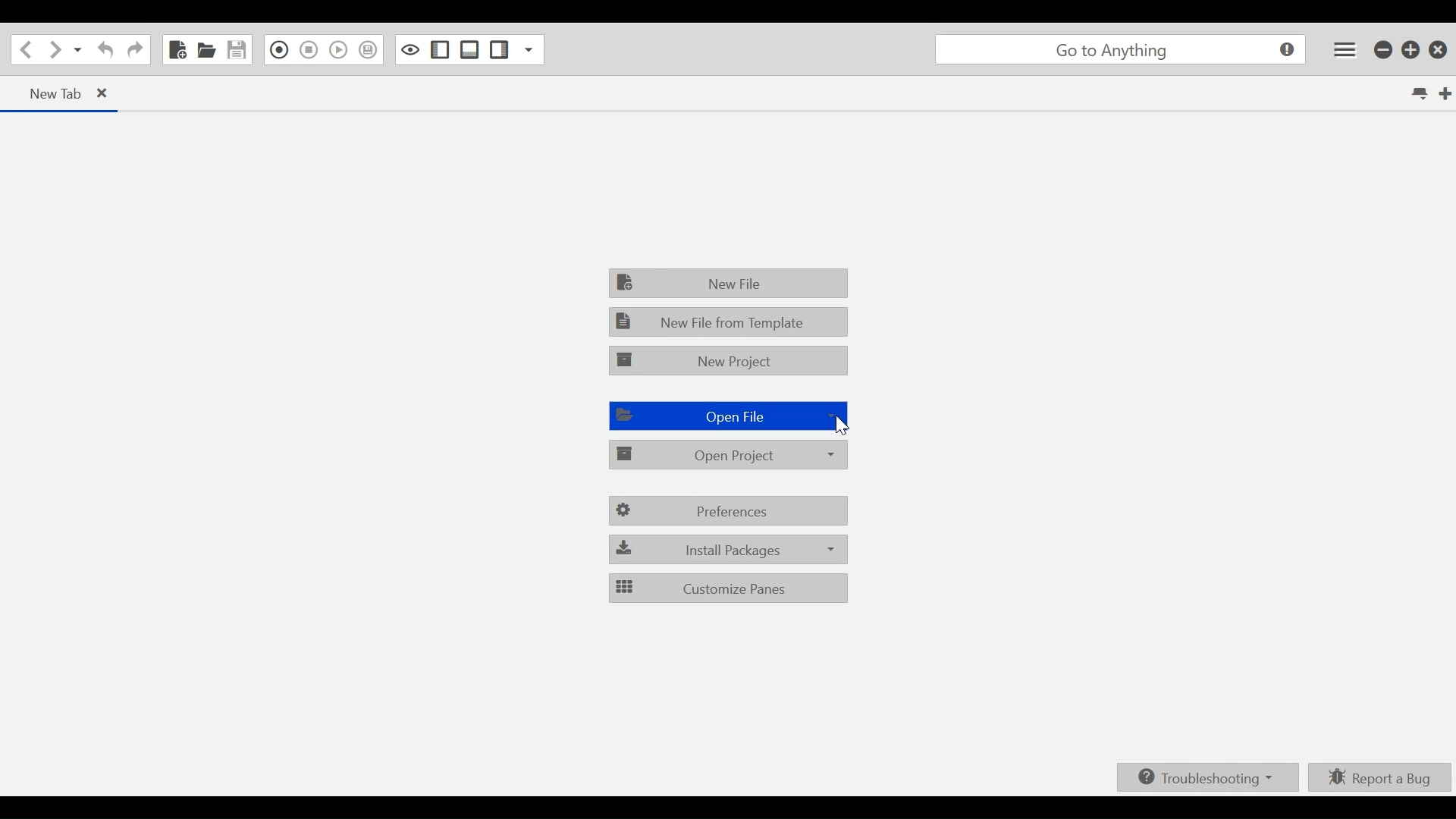  What do you see at coordinates (369, 51) in the screenshot?
I see `Save Macro to Toolbox as Superscript` at bounding box center [369, 51].